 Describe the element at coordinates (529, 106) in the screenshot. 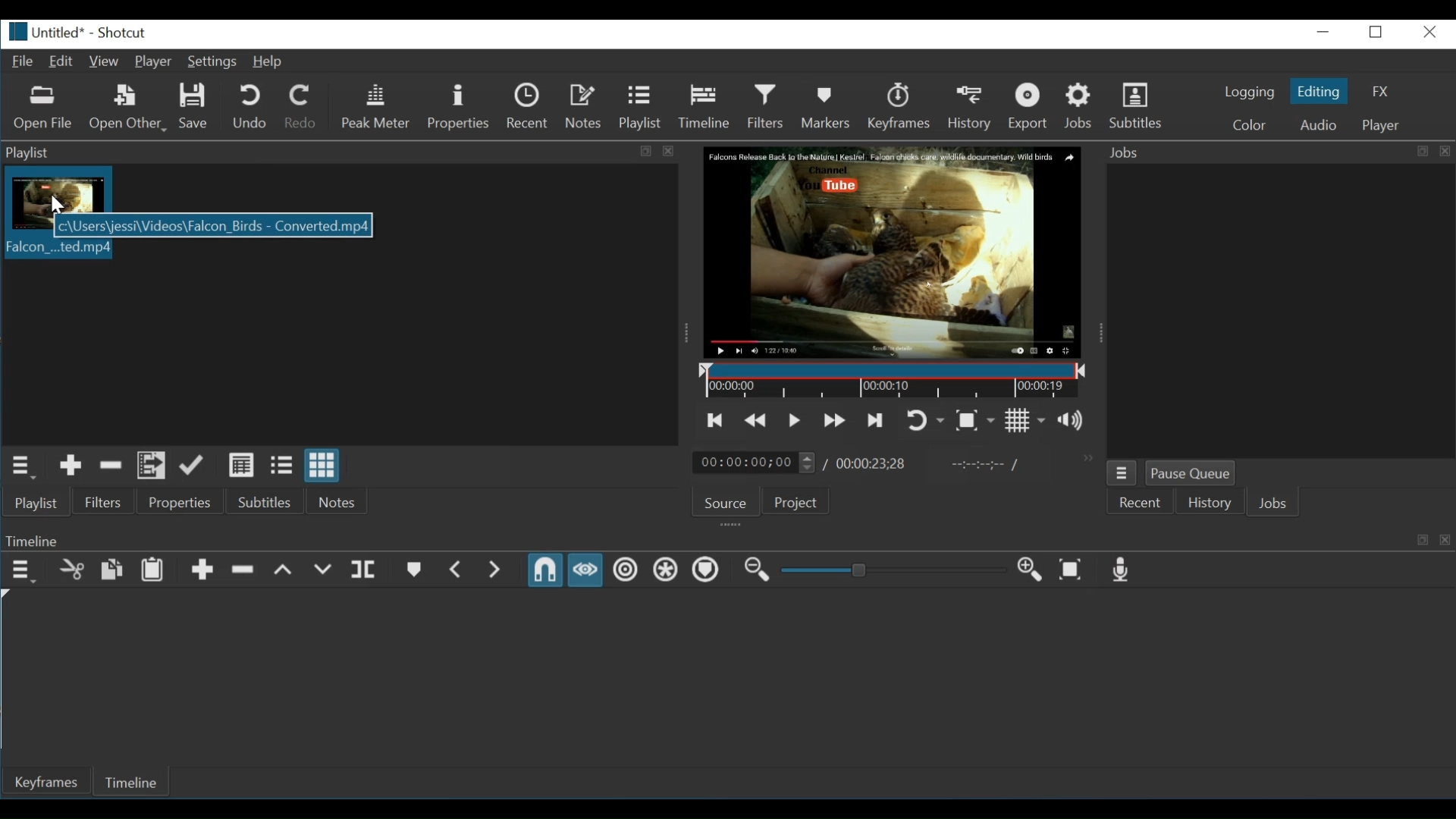

I see `Recent` at that location.